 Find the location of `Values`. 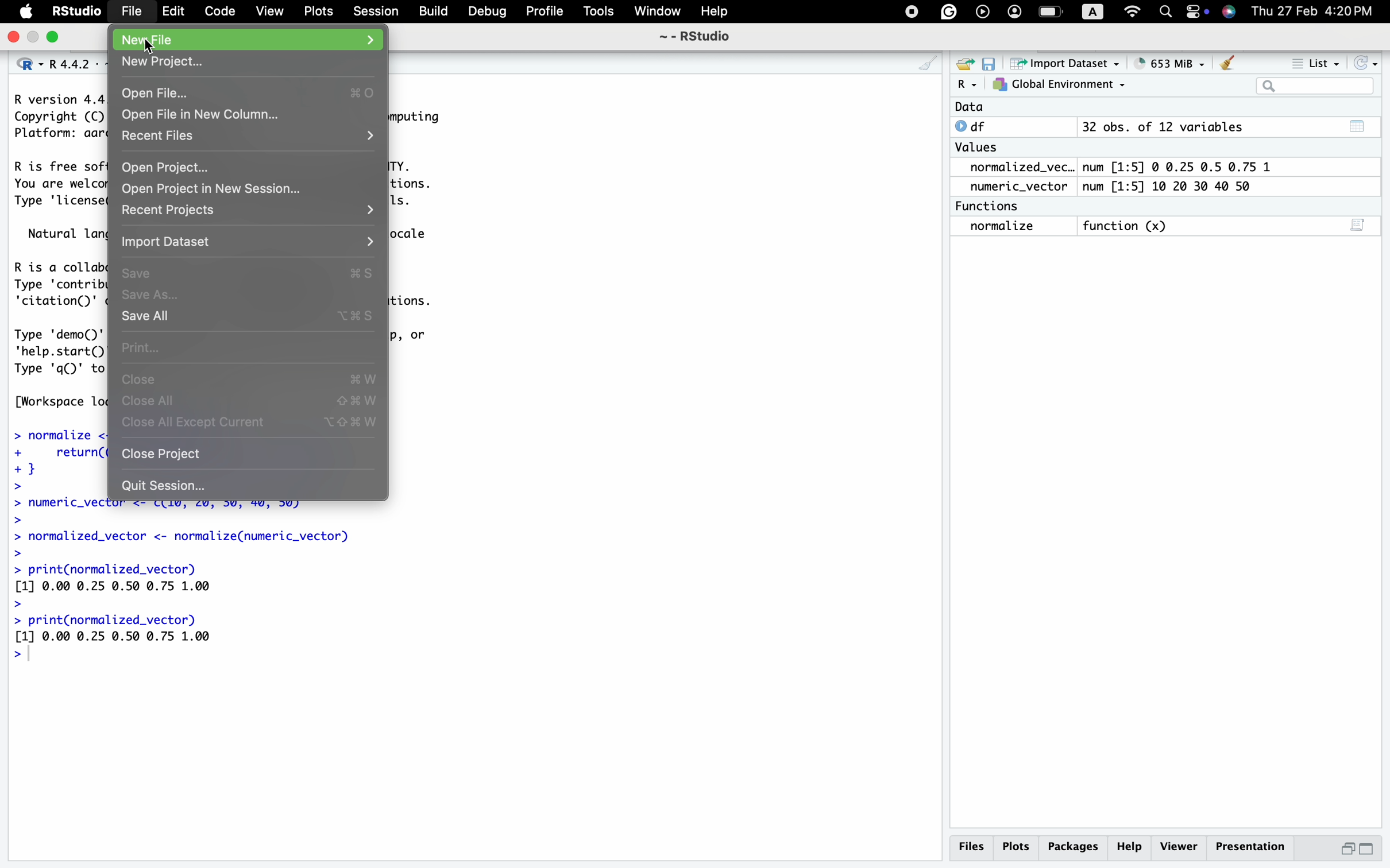

Values is located at coordinates (976, 150).